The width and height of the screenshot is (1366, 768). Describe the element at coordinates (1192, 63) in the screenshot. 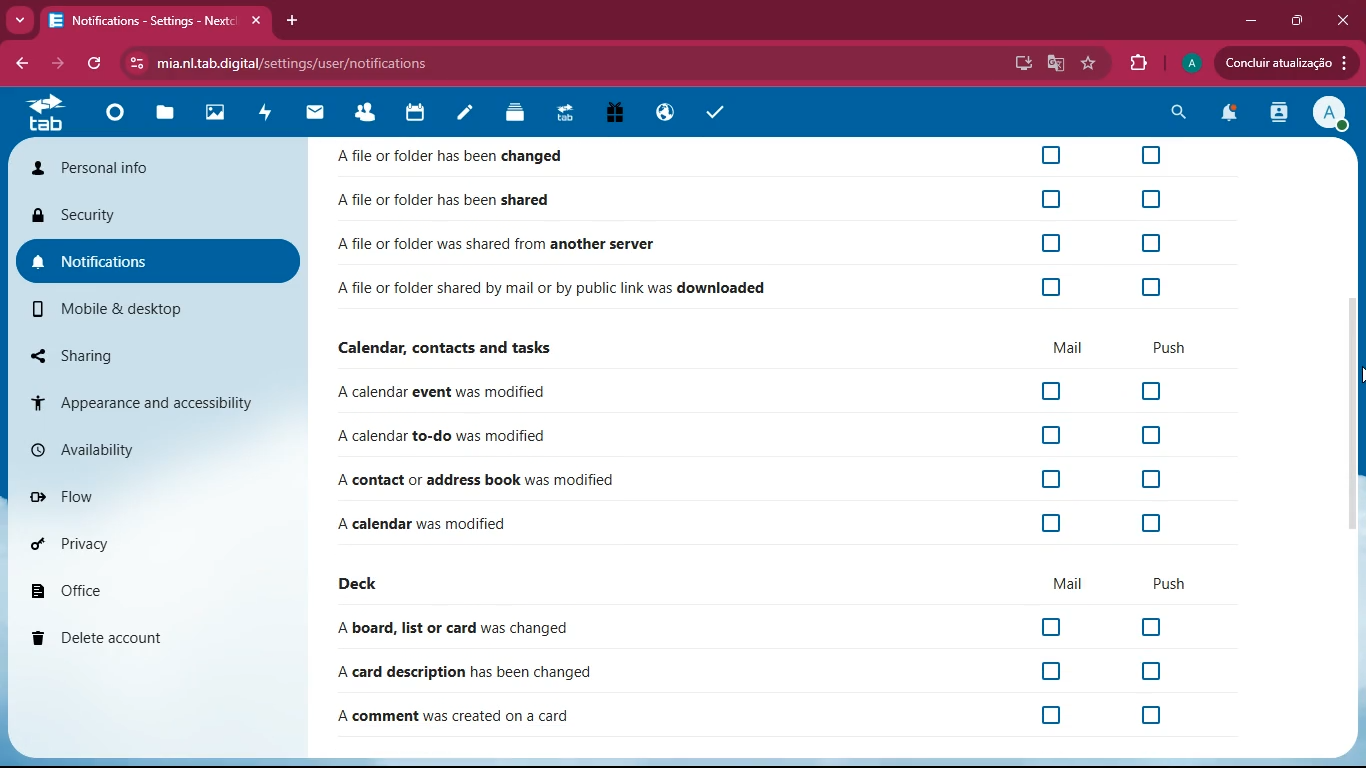

I see `profile` at that location.